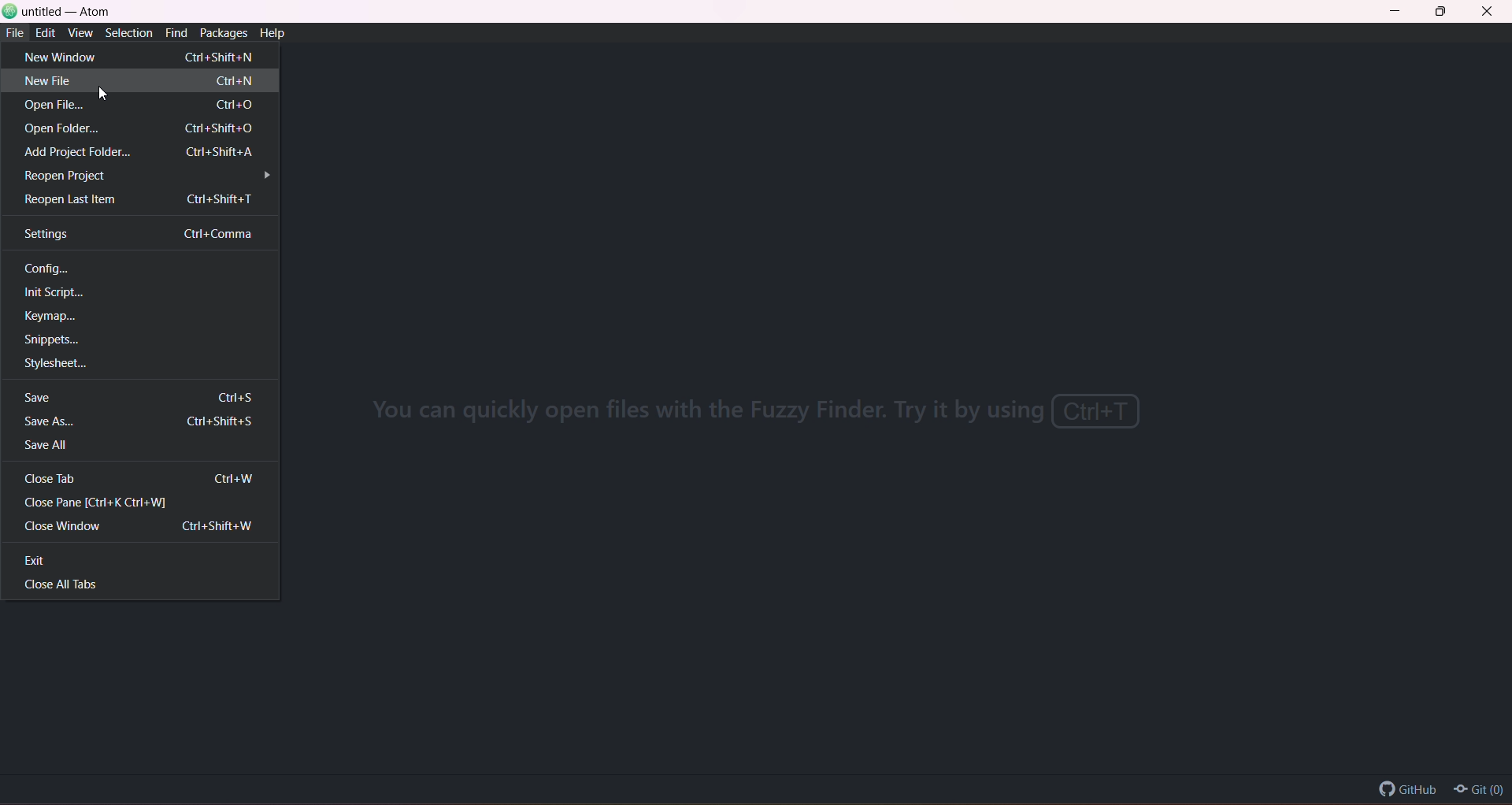 This screenshot has height=805, width=1512. Describe the element at coordinates (274, 33) in the screenshot. I see `Help` at that location.